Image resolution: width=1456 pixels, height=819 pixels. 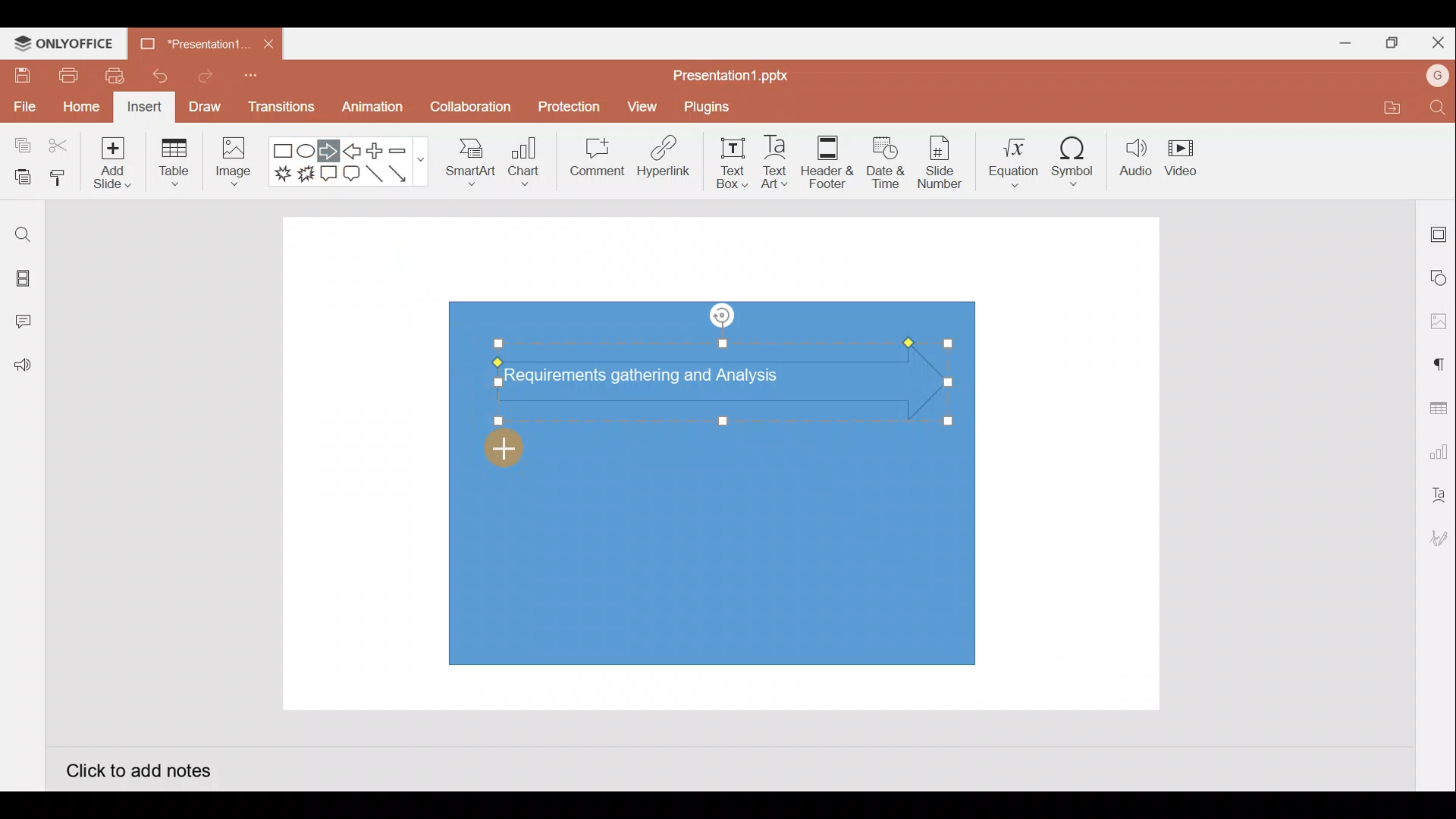 What do you see at coordinates (199, 75) in the screenshot?
I see `Redo` at bounding box center [199, 75].